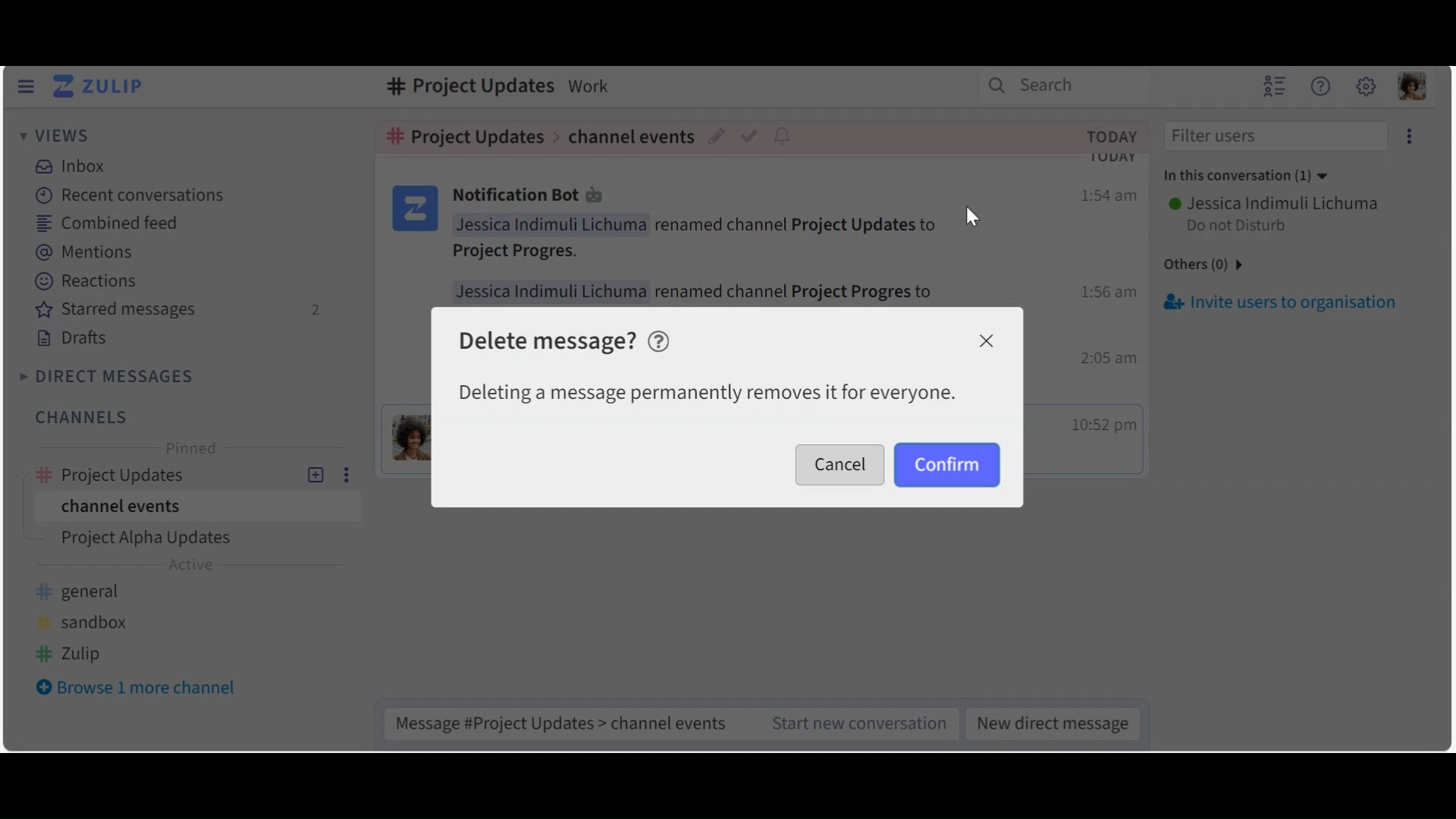 The height and width of the screenshot is (819, 1456). I want to click on Cancel, so click(841, 463).